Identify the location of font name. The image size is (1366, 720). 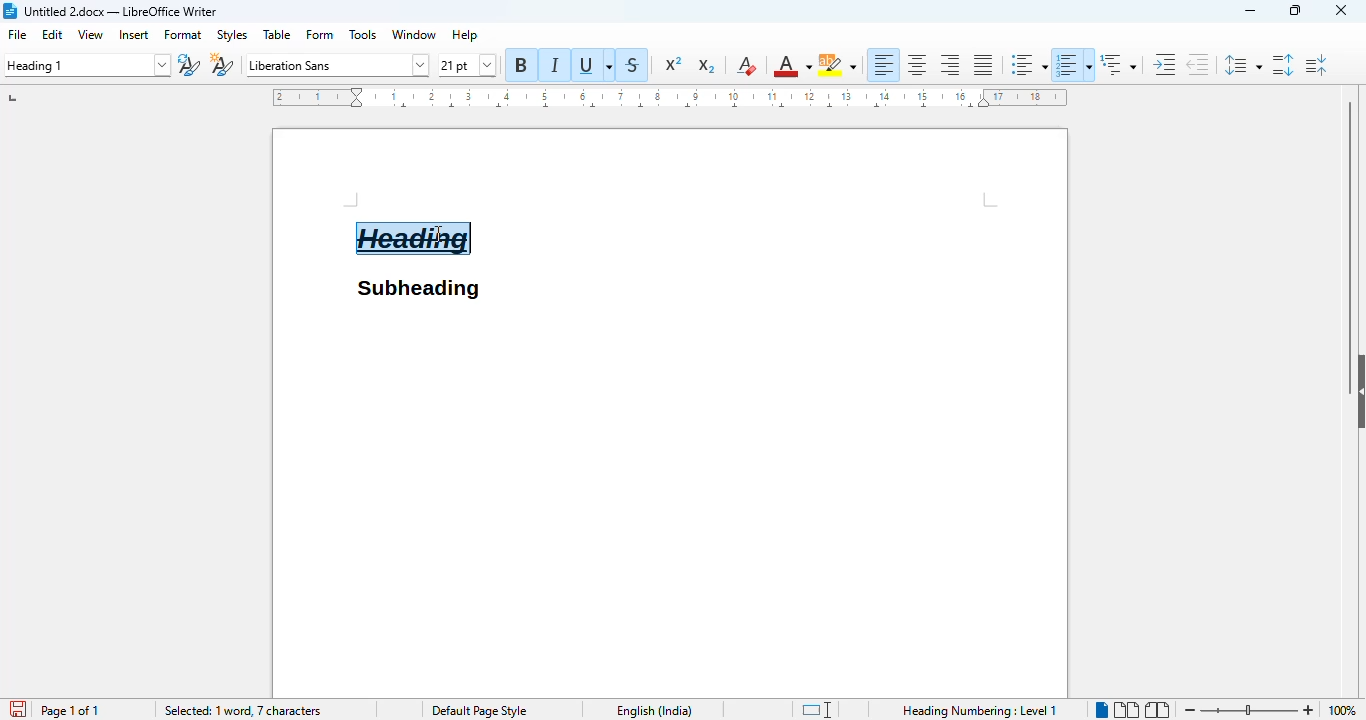
(336, 65).